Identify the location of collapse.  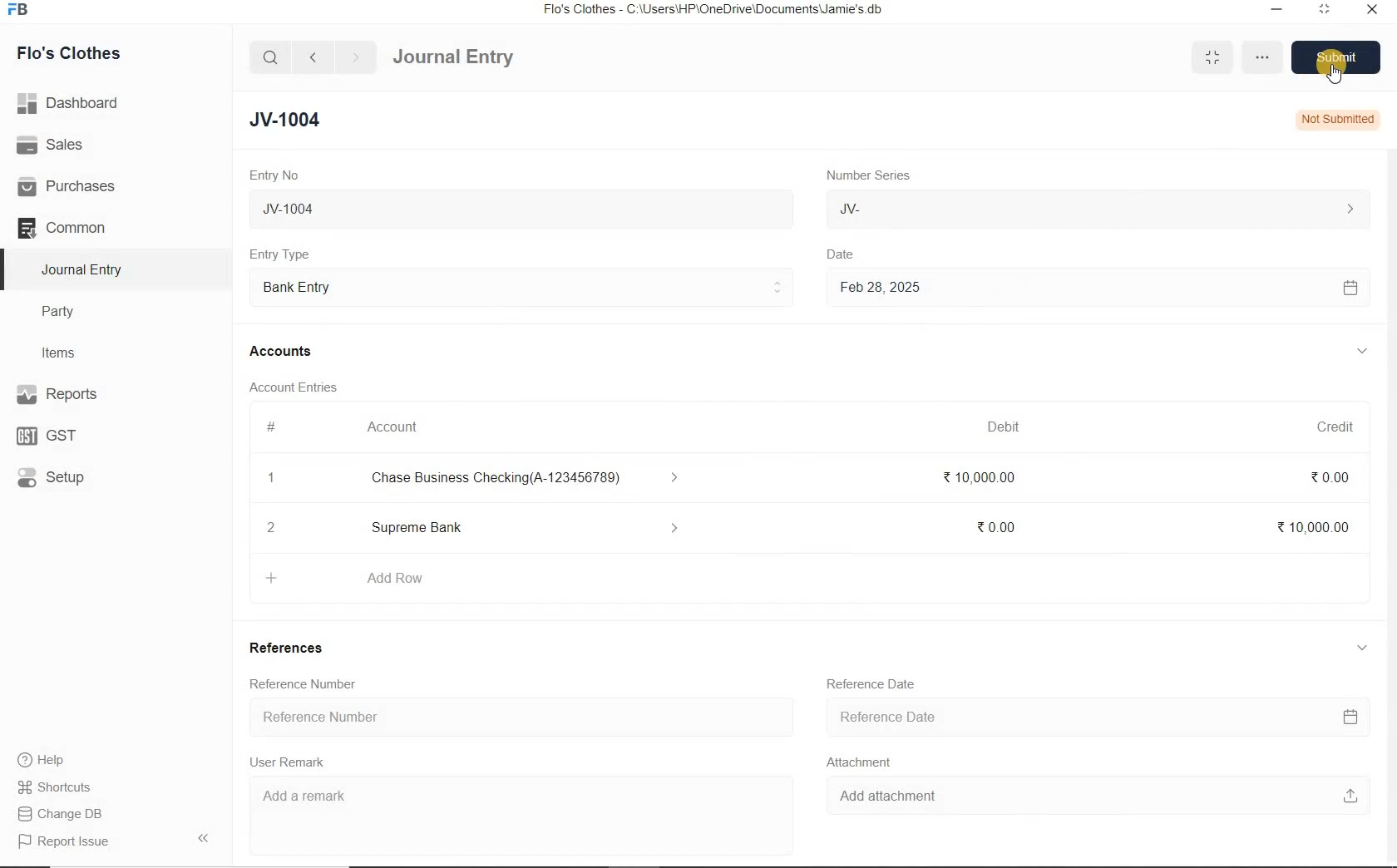
(1362, 351).